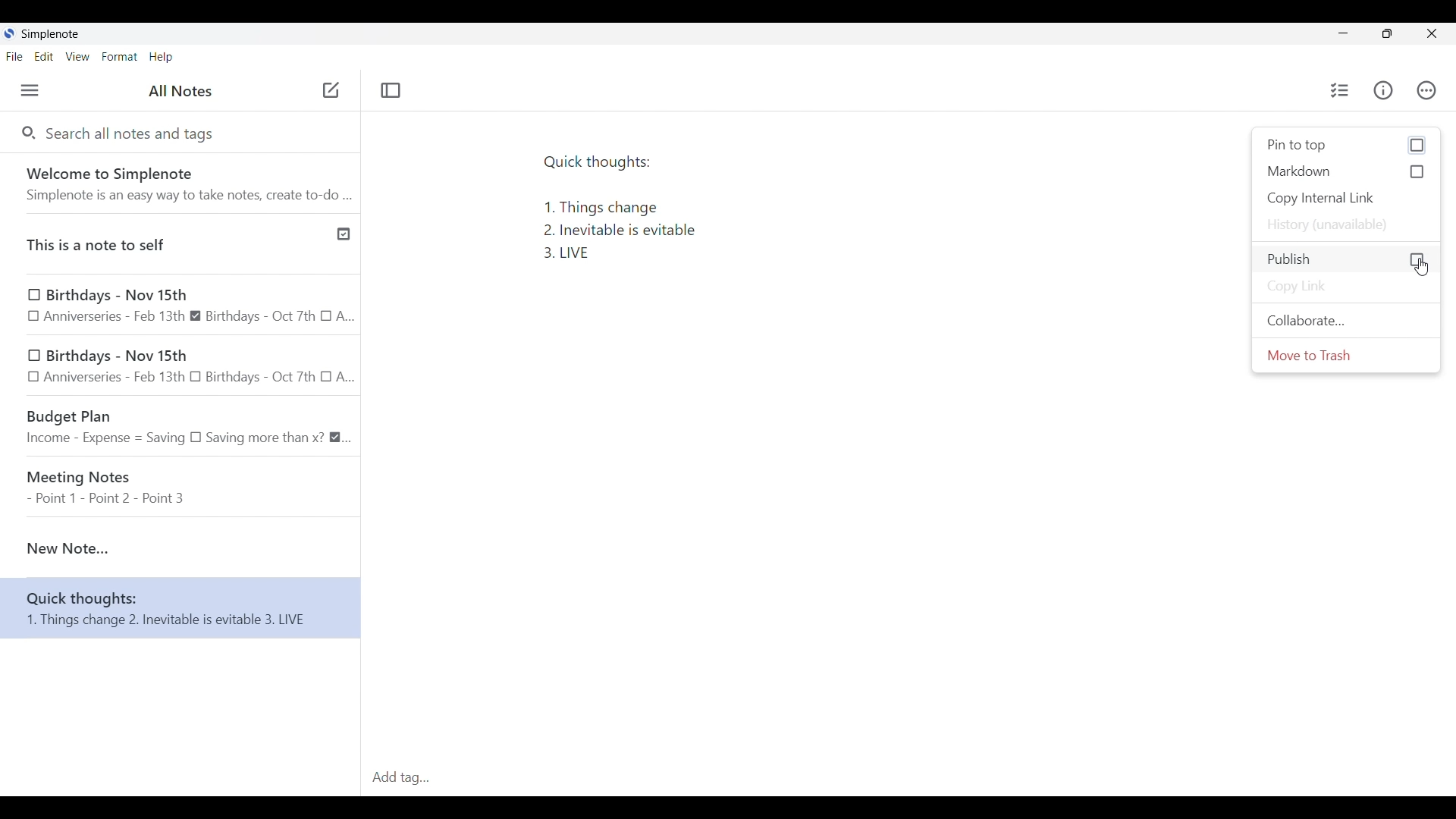  What do you see at coordinates (1388, 33) in the screenshot?
I see `Show interface in a smaller tab` at bounding box center [1388, 33].